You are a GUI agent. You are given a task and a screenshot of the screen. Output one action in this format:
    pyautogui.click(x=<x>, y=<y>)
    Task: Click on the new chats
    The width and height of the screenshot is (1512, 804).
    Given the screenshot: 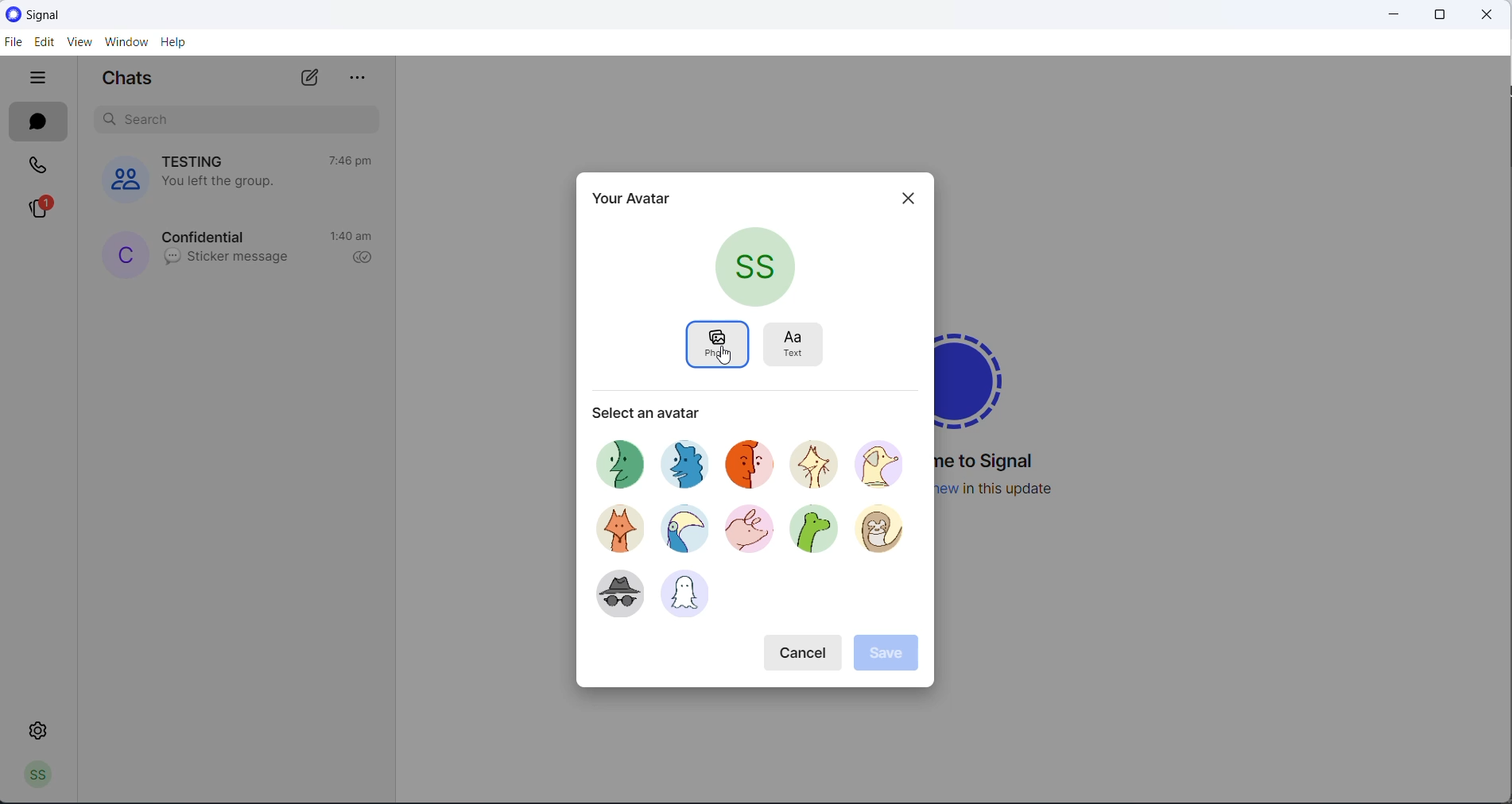 What is the action you would take?
    pyautogui.click(x=308, y=79)
    